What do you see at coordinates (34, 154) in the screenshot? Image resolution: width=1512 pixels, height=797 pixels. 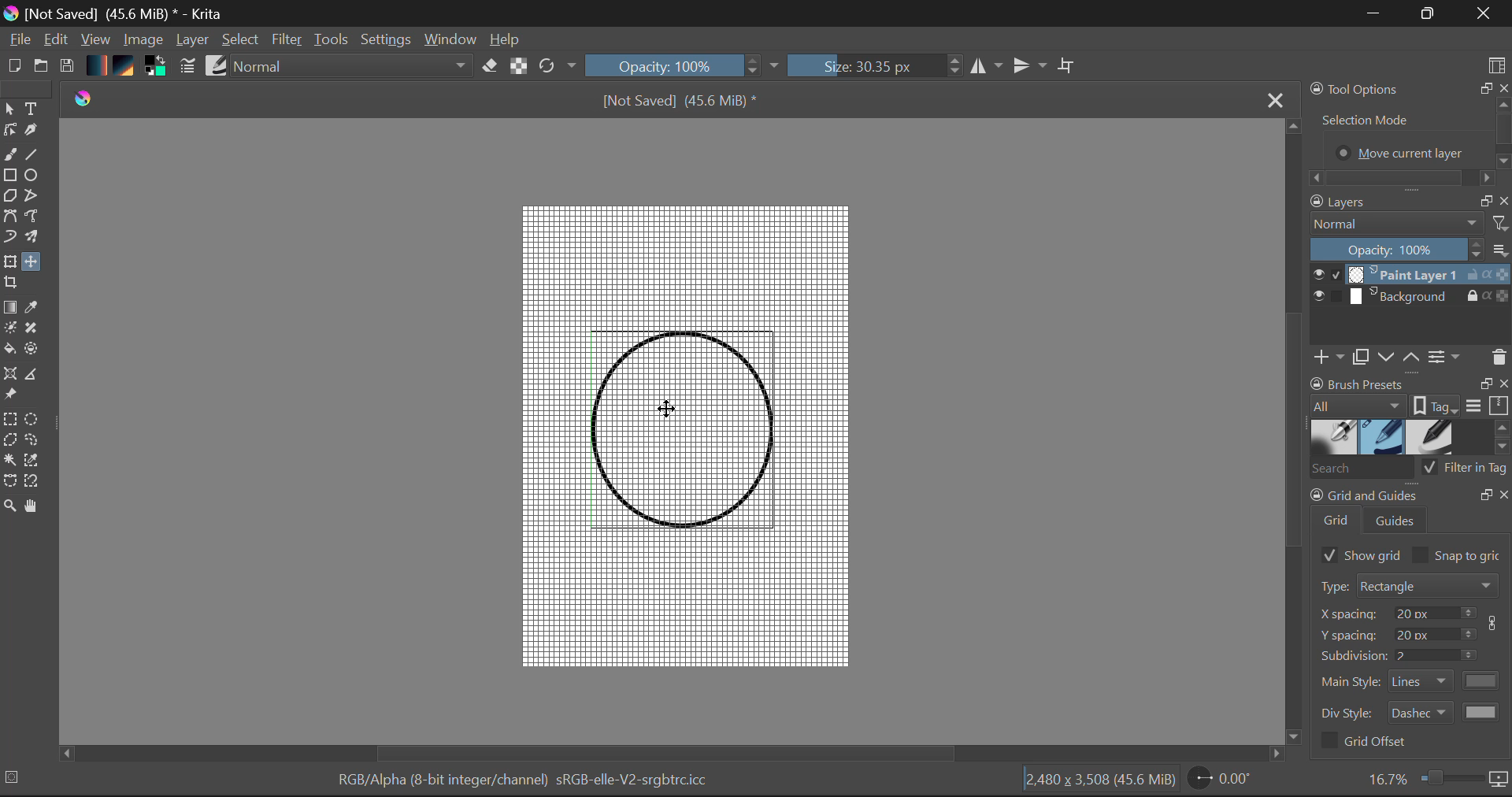 I see `Line` at bounding box center [34, 154].